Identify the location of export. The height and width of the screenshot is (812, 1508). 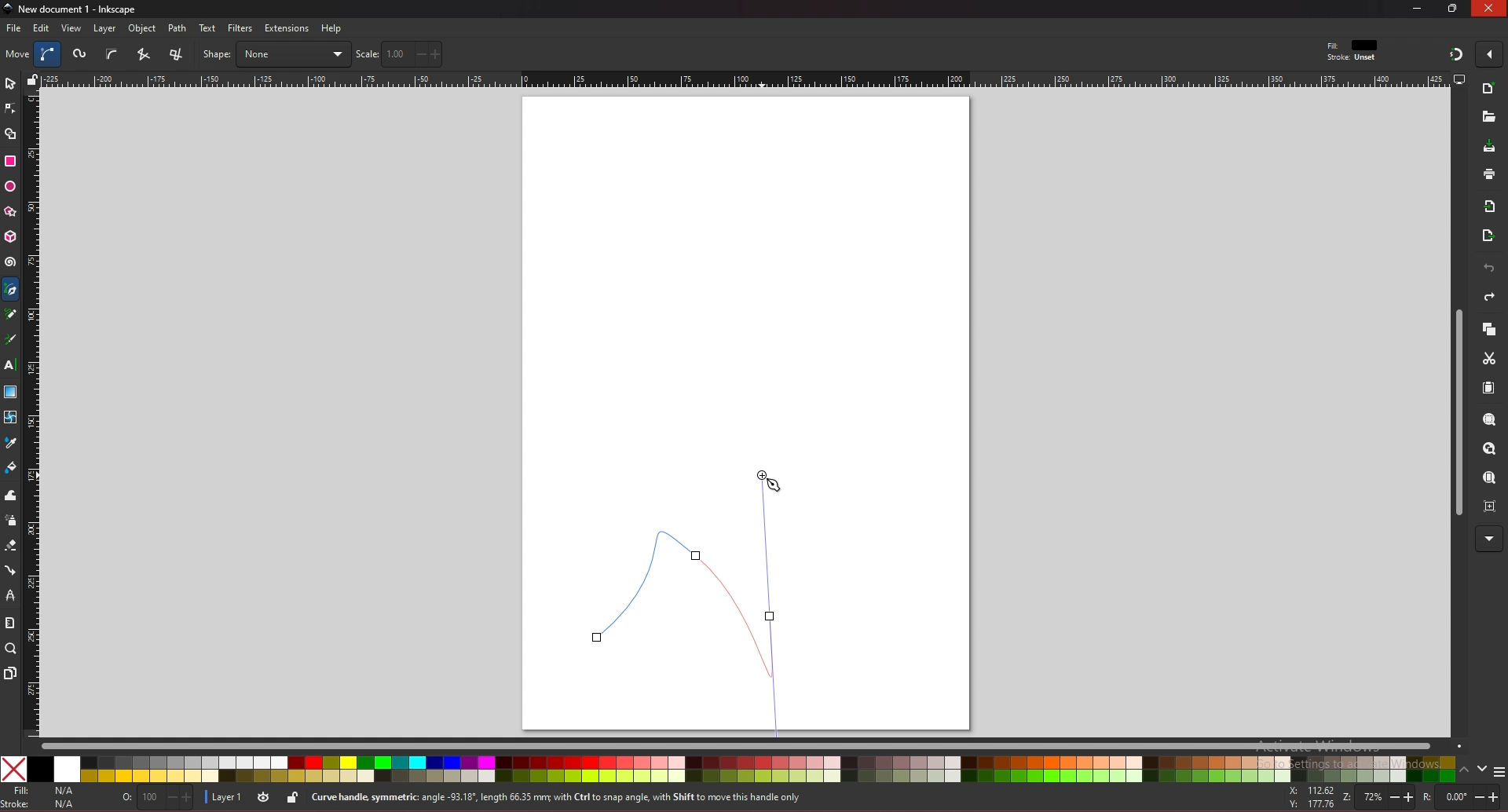
(1488, 236).